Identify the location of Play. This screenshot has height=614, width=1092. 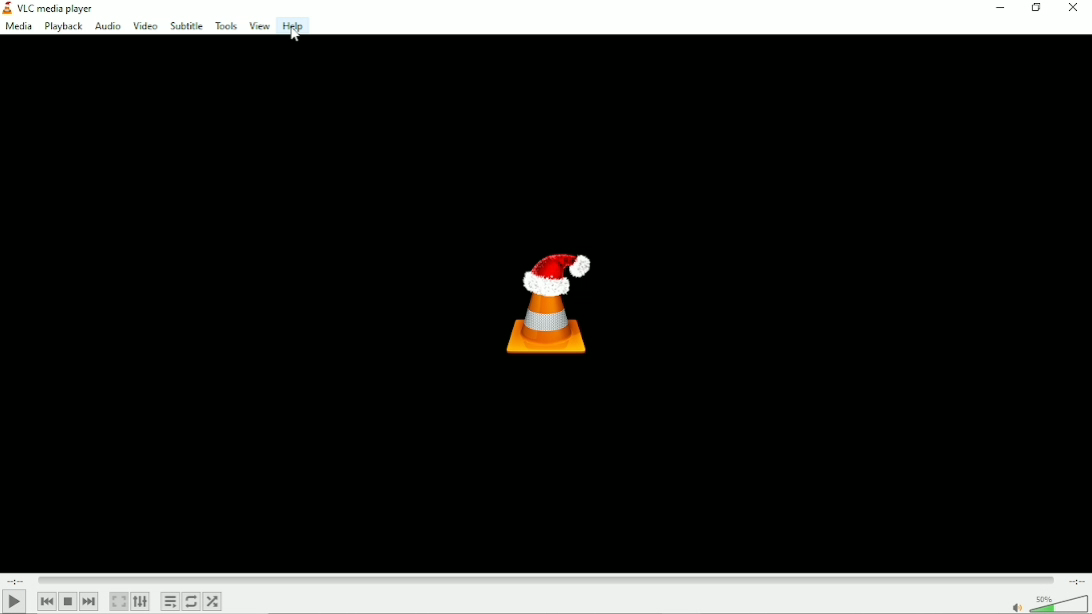
(15, 602).